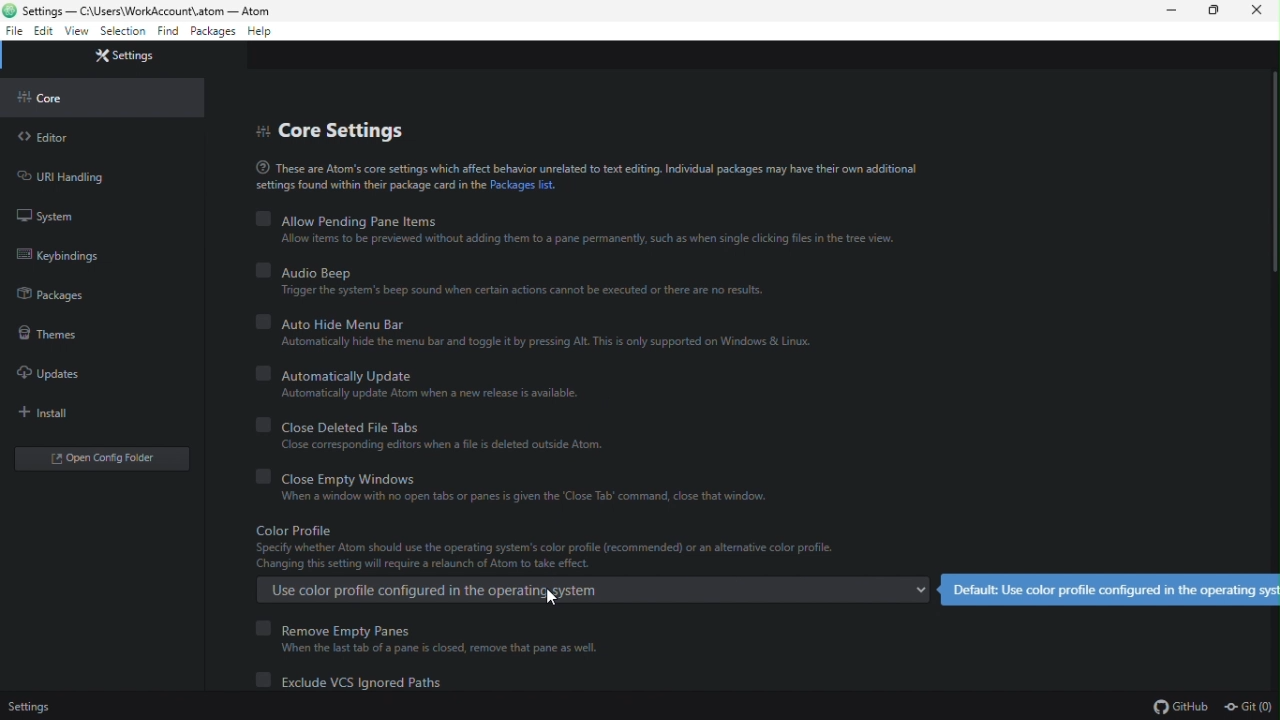  What do you see at coordinates (51, 413) in the screenshot?
I see `install` at bounding box center [51, 413].